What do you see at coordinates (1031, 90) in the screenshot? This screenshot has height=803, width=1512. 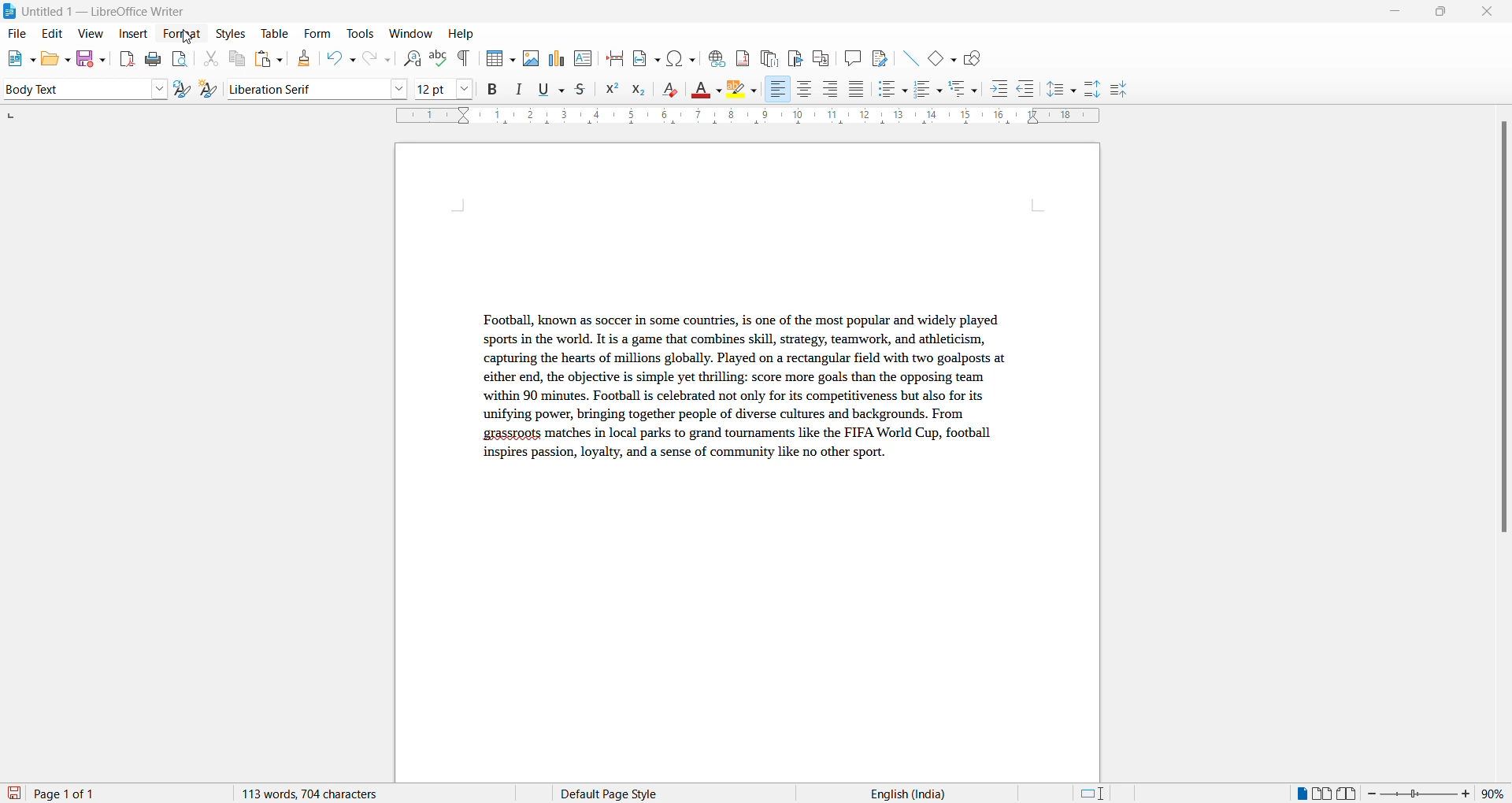 I see `decrease indent` at bounding box center [1031, 90].